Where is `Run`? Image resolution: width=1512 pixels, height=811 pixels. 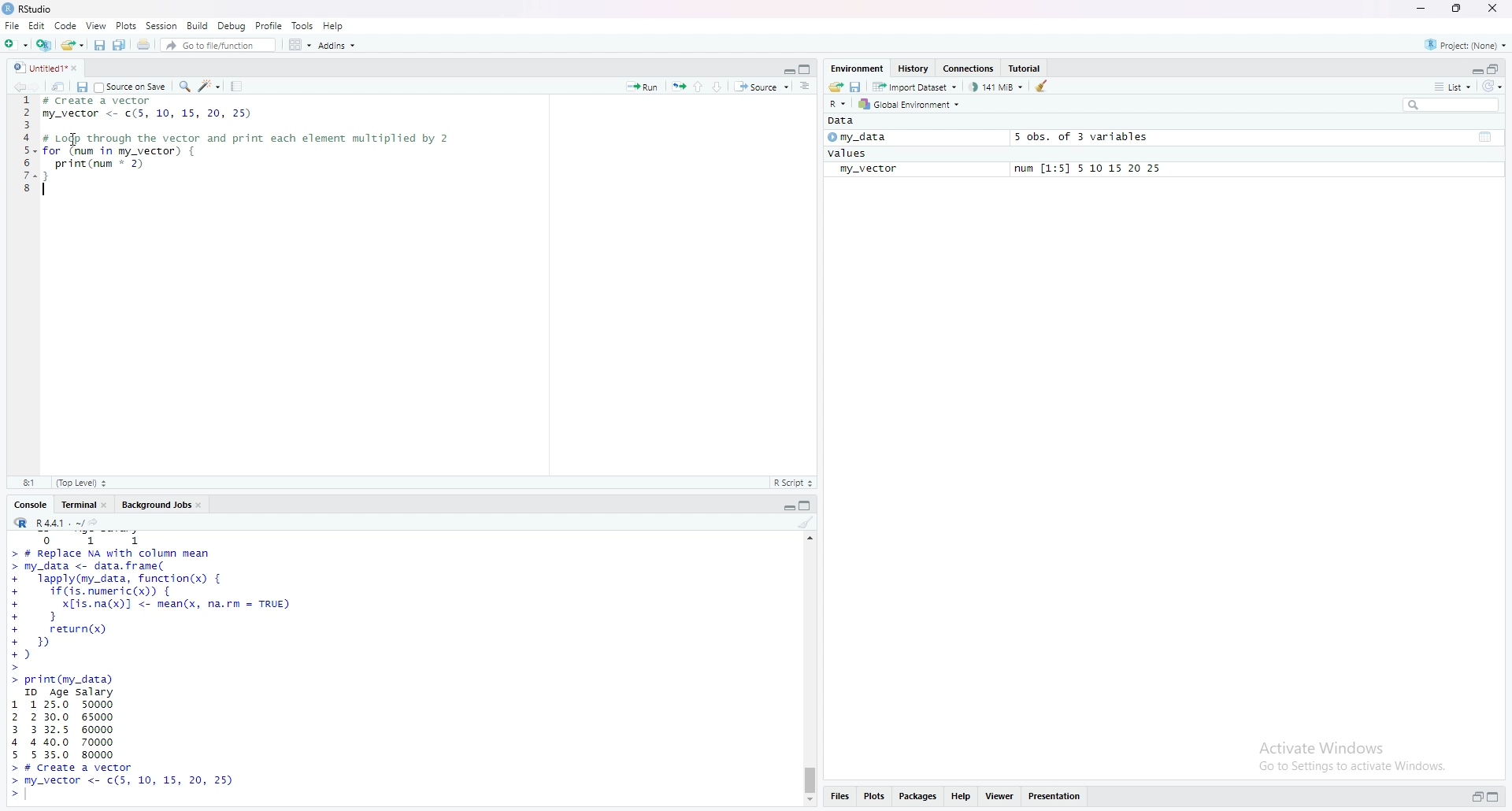
Run is located at coordinates (643, 86).